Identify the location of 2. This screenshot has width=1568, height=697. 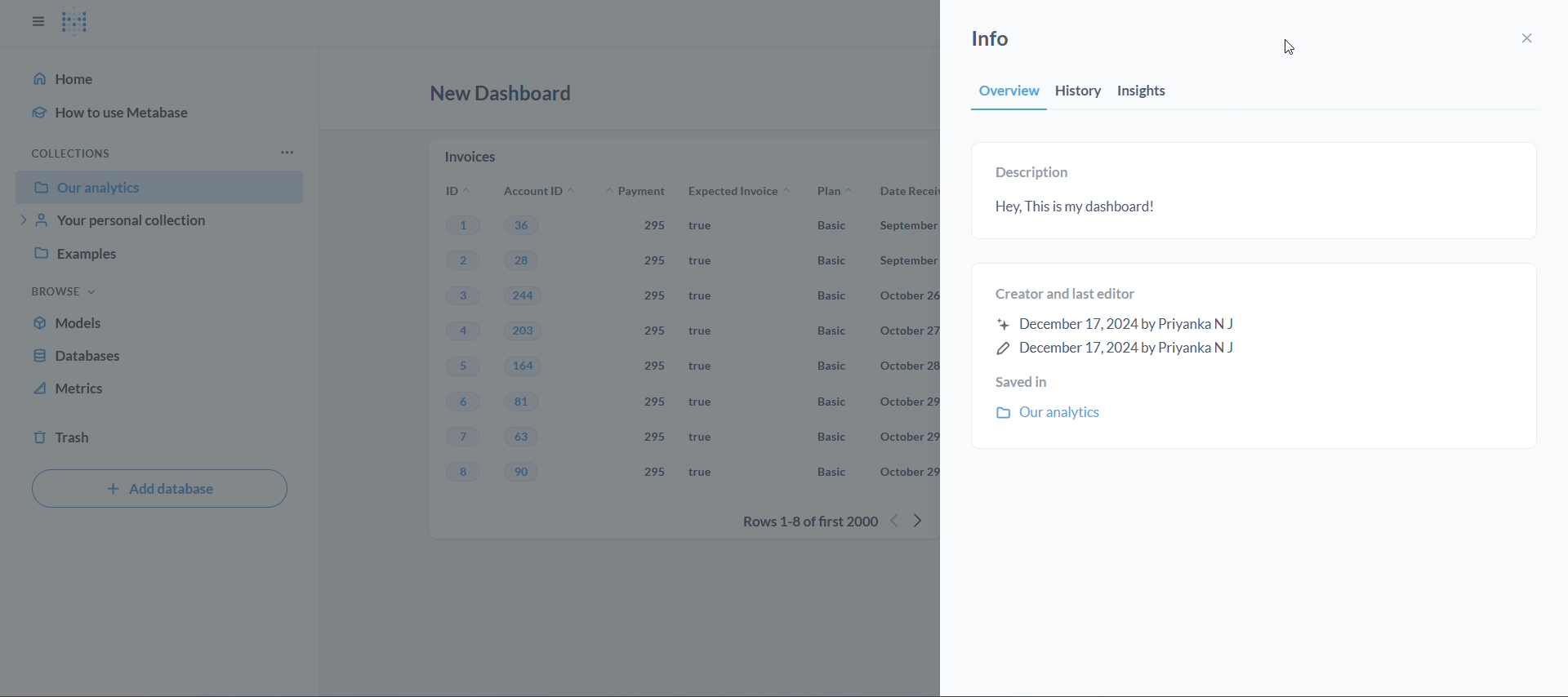
(465, 260).